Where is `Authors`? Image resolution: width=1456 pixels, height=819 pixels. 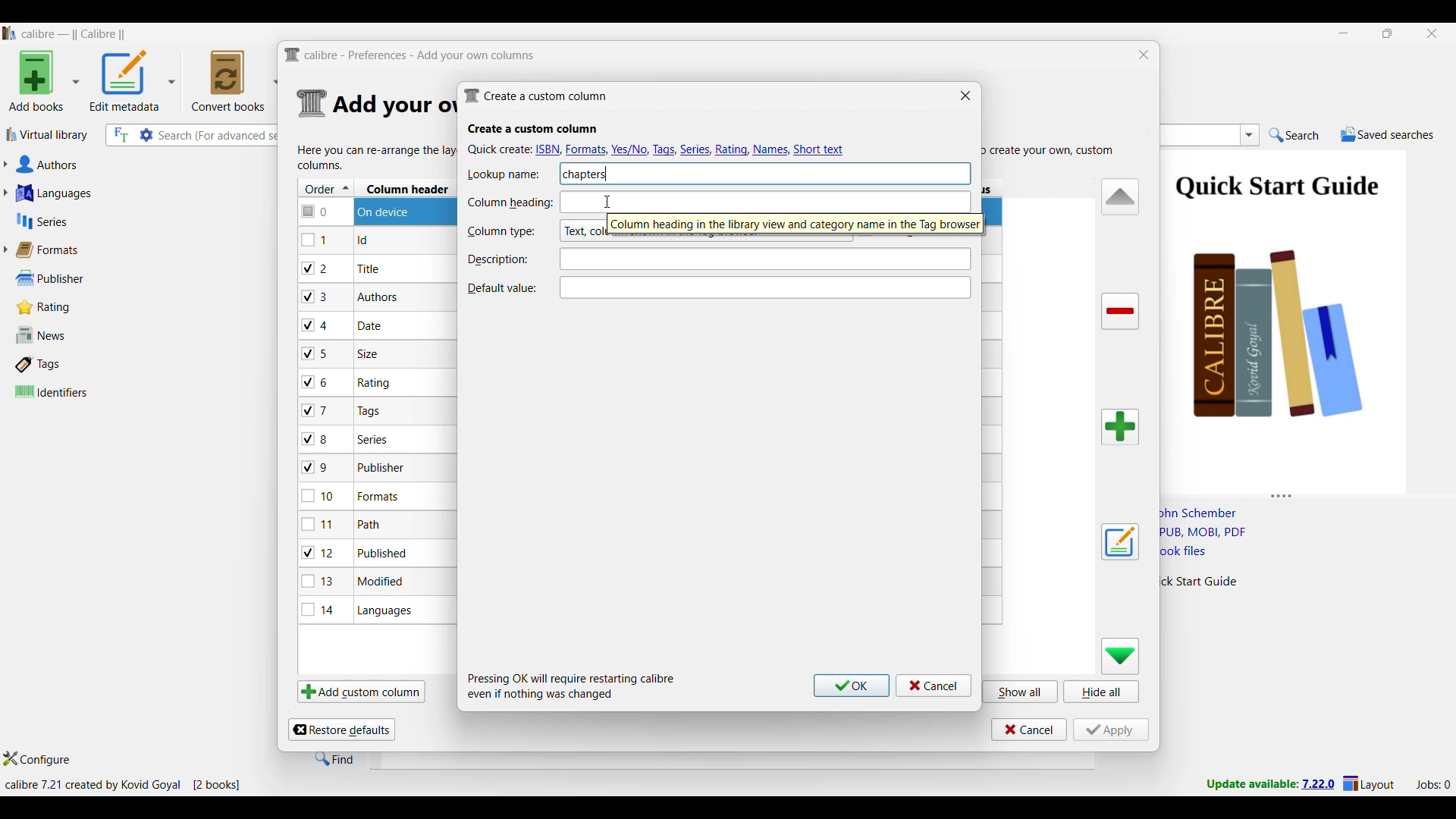
Authors is located at coordinates (120, 165).